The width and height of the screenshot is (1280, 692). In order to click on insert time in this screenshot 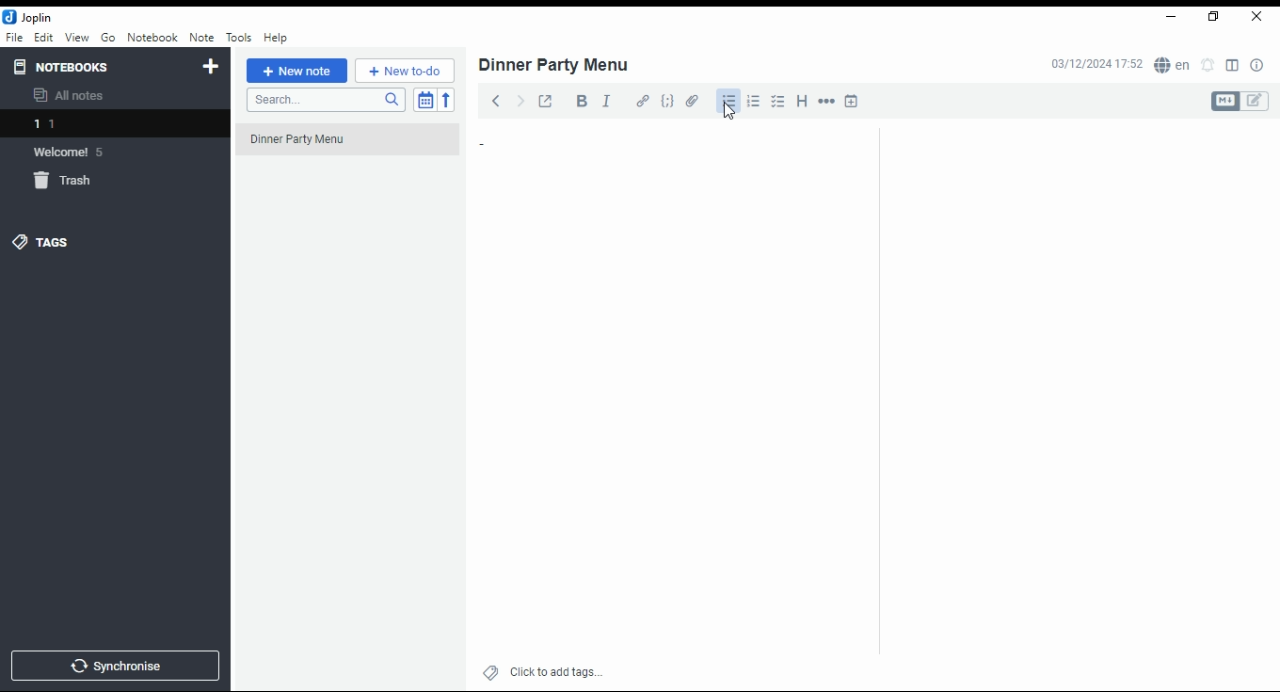, I will do `click(851, 100)`.